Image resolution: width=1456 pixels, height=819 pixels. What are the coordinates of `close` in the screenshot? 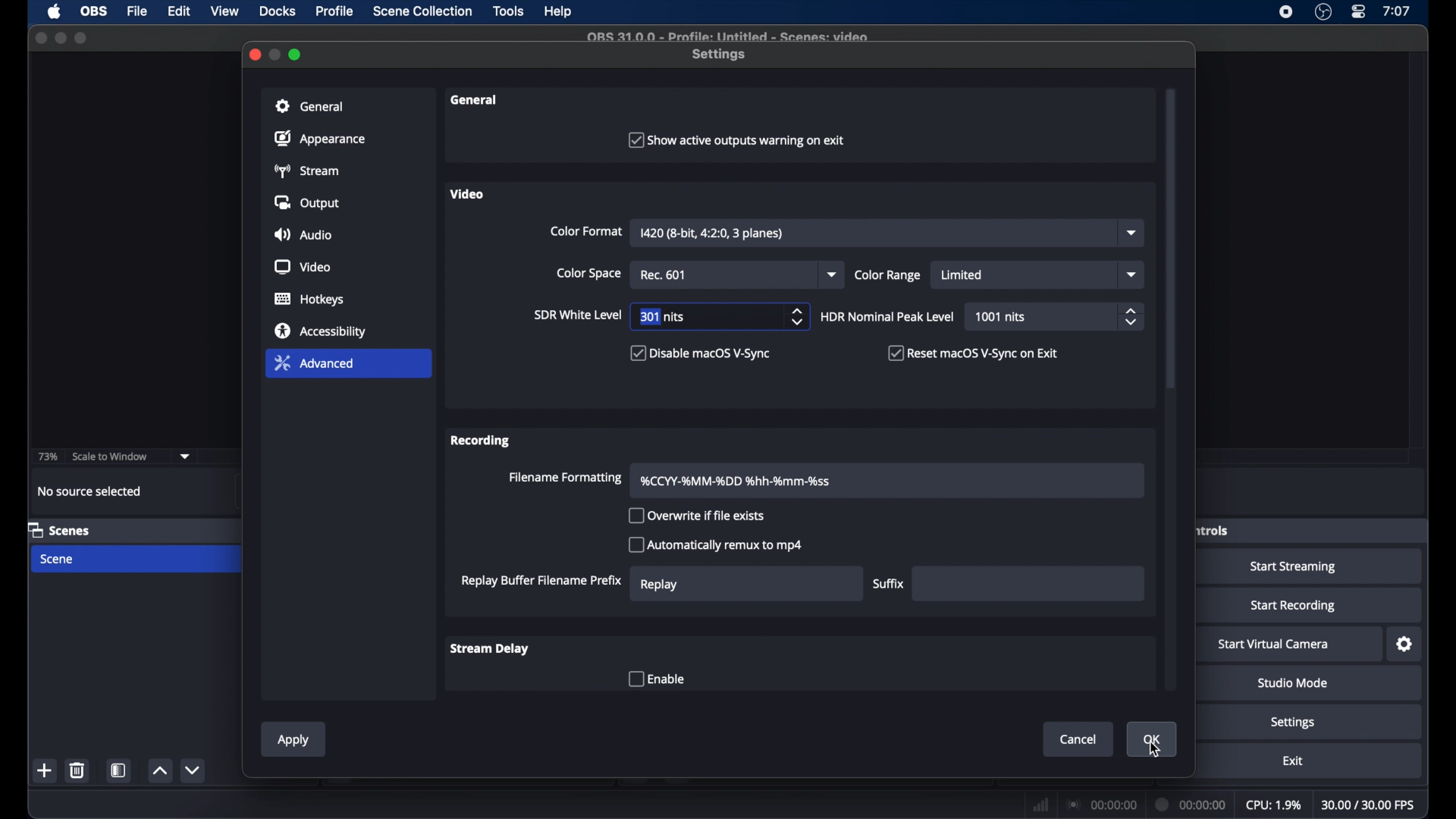 It's located at (253, 55).